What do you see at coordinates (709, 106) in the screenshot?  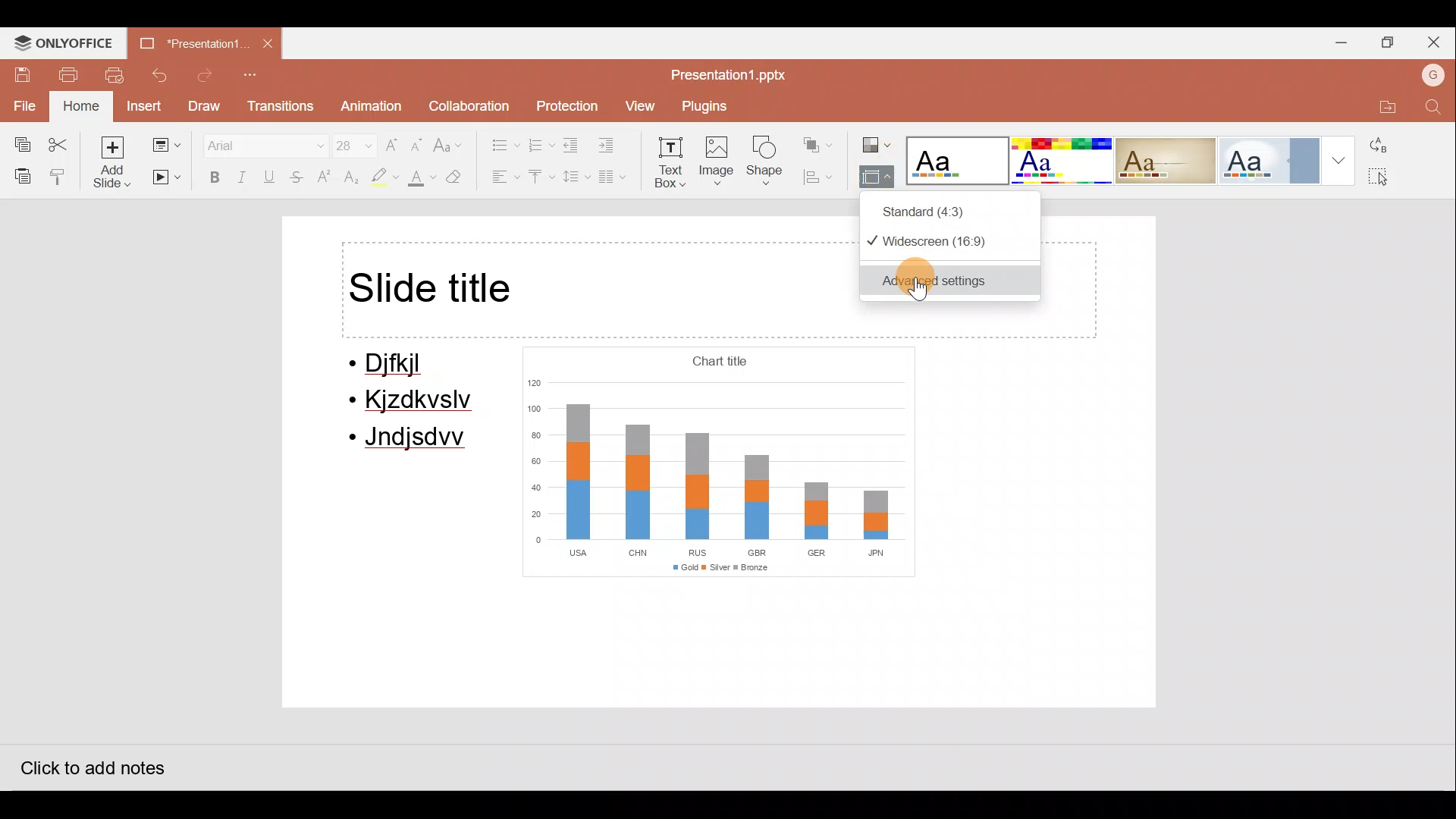 I see `Plugins` at bounding box center [709, 106].